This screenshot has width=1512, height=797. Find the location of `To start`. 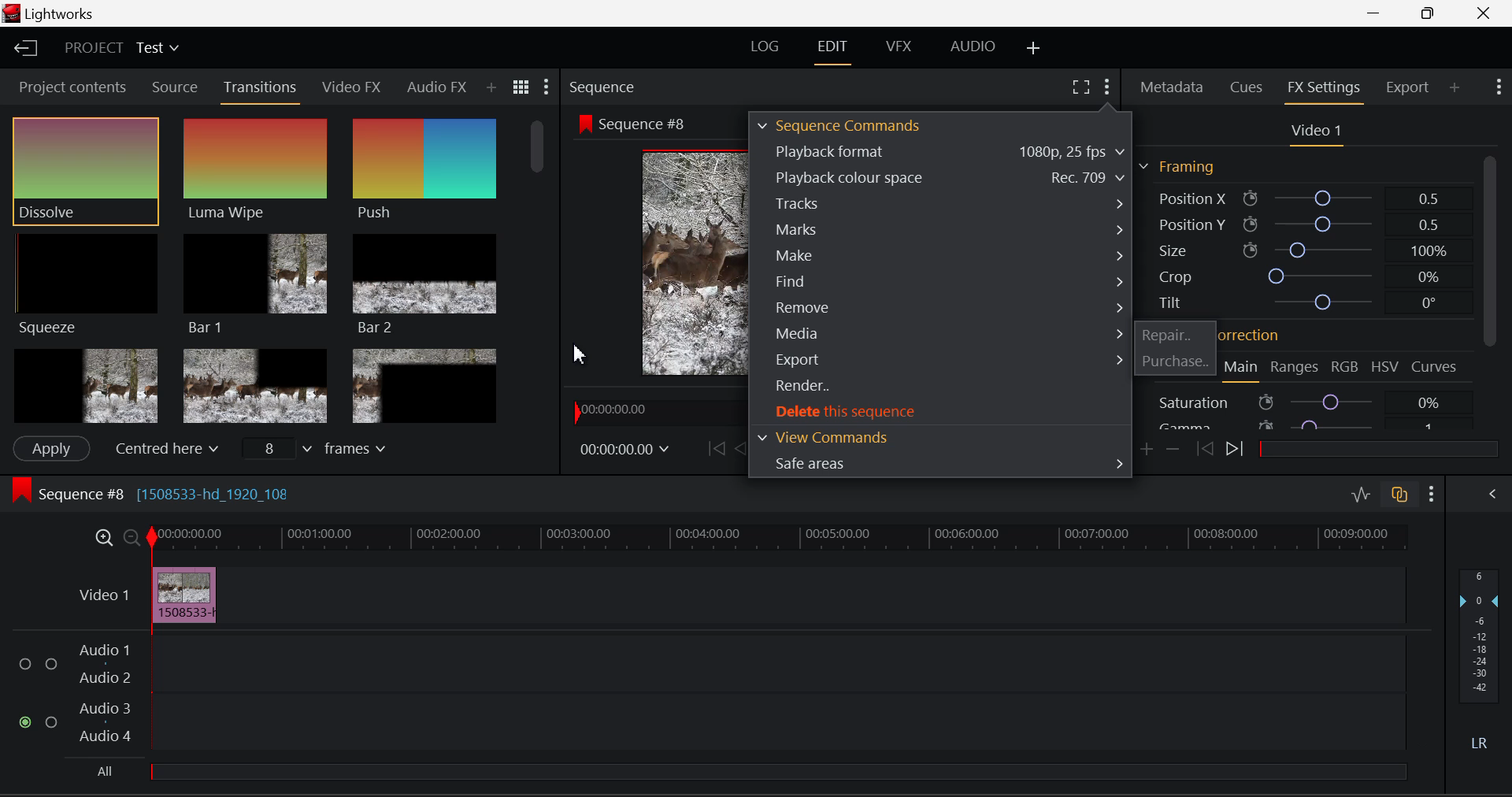

To start is located at coordinates (713, 449).